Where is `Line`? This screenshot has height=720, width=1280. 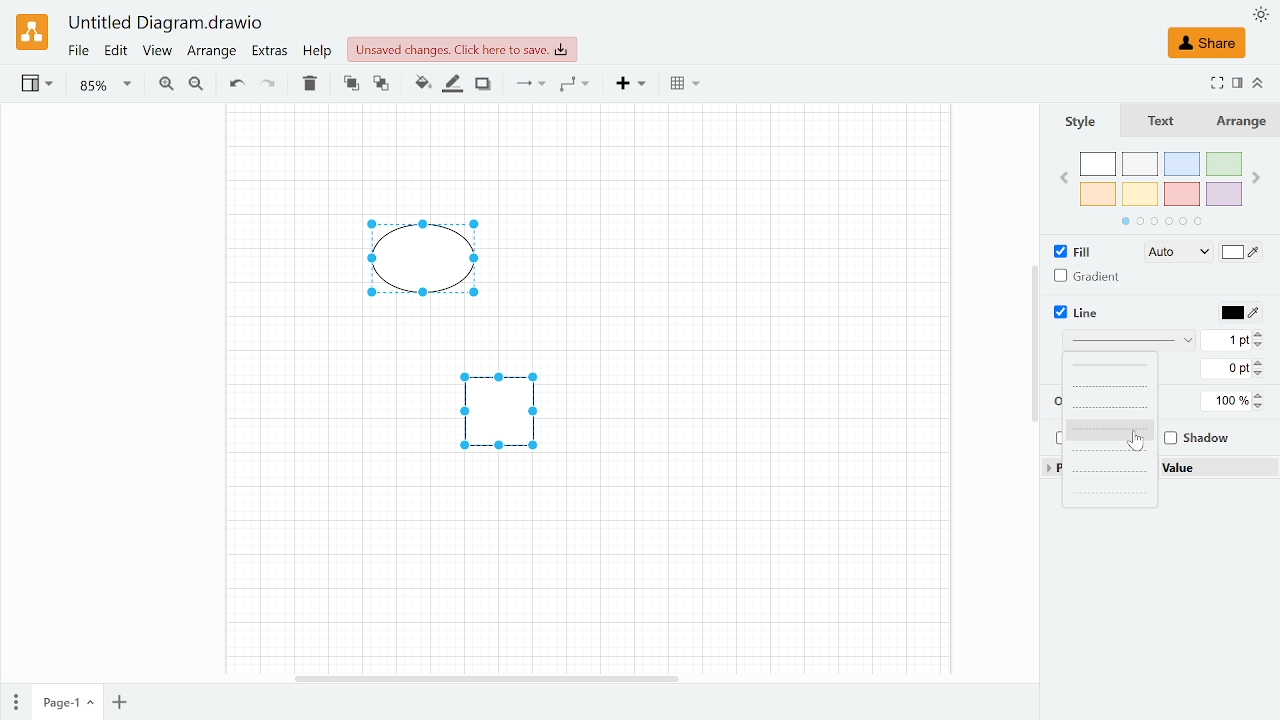
Line is located at coordinates (1075, 313).